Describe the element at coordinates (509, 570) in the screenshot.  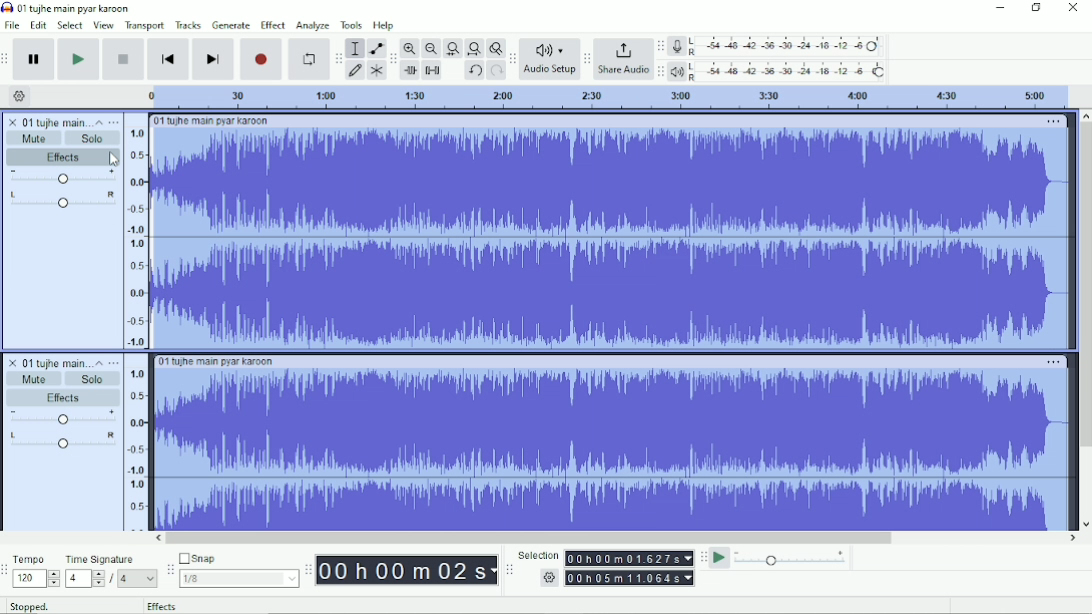
I see `Audacity selection toolbar` at that location.